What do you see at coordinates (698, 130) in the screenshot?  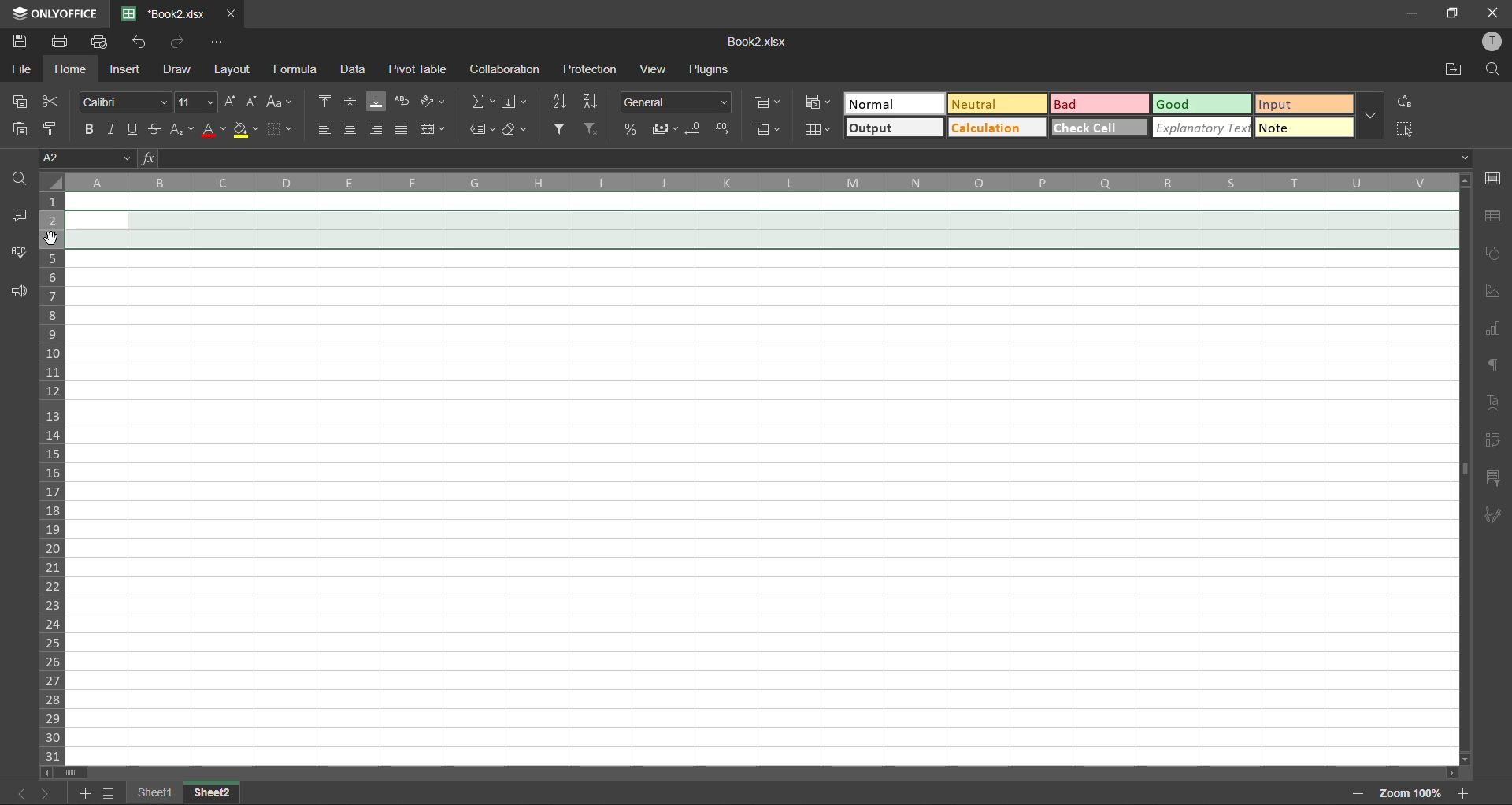 I see `decrease decimal` at bounding box center [698, 130].